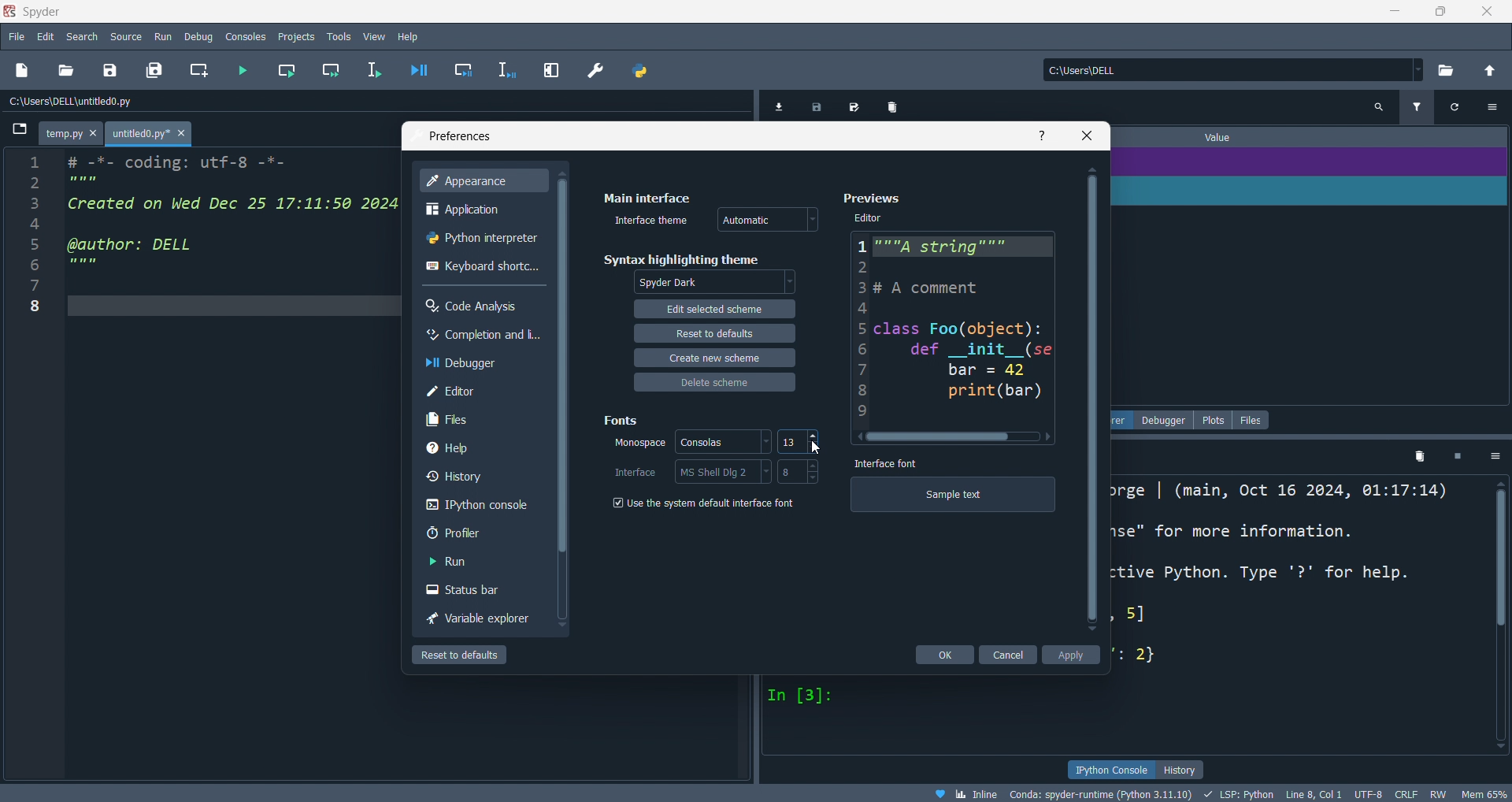 The height and width of the screenshot is (802, 1512). I want to click on python interpreter, so click(483, 236).